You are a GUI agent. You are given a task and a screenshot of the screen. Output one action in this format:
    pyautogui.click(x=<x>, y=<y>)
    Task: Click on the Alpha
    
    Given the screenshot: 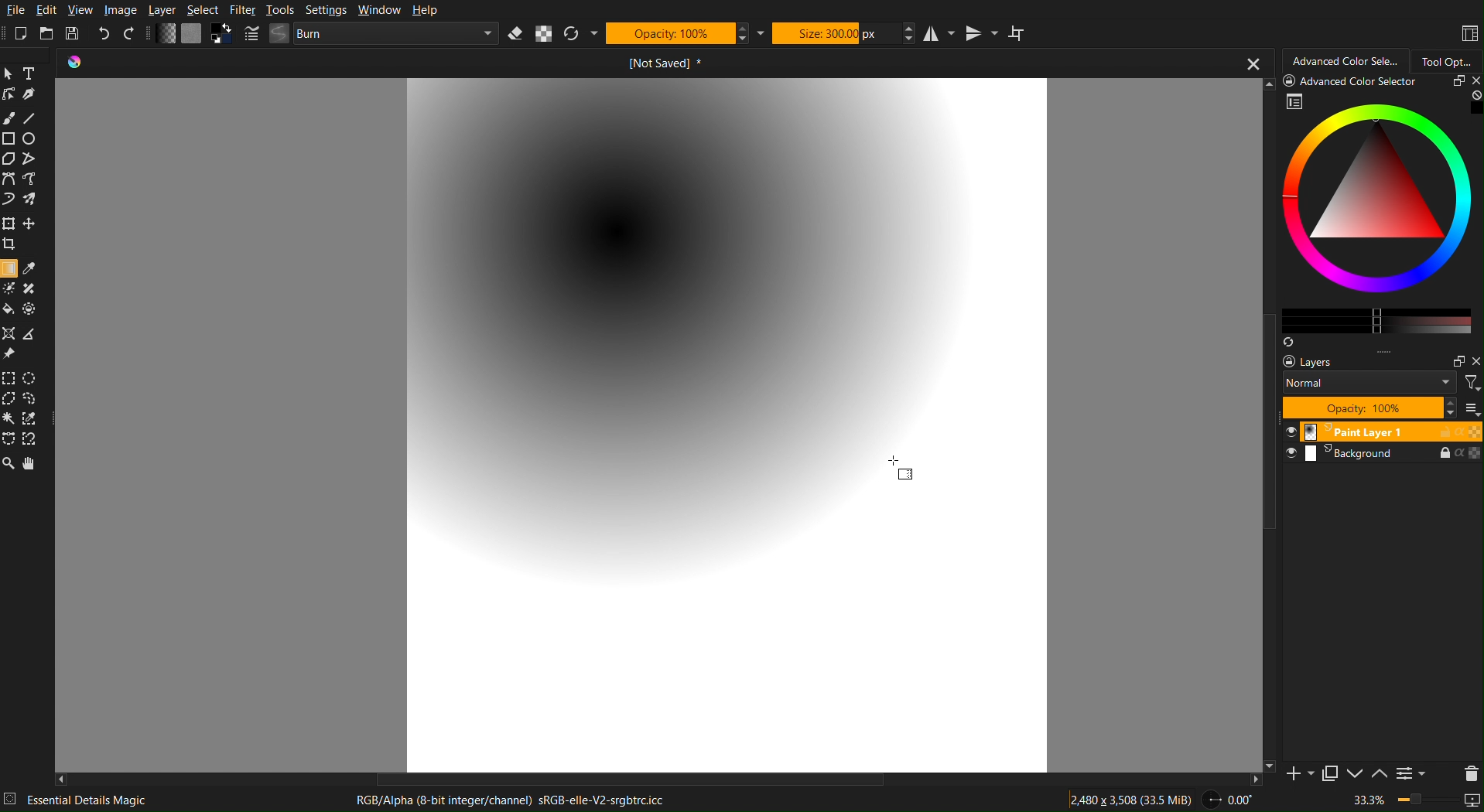 What is the action you would take?
    pyautogui.click(x=544, y=33)
    